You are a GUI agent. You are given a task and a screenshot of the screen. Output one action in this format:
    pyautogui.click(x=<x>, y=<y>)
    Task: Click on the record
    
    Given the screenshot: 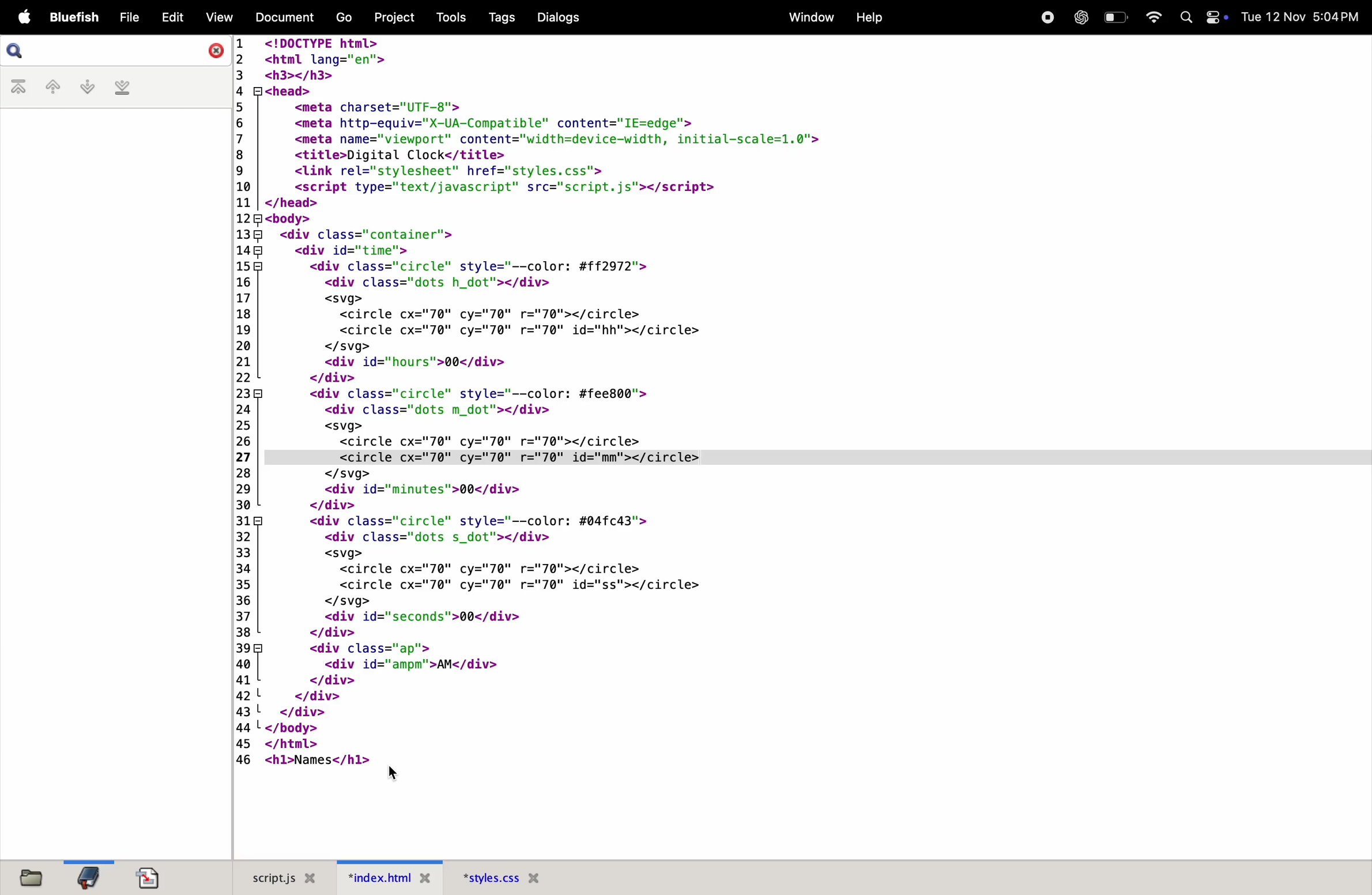 What is the action you would take?
    pyautogui.click(x=1045, y=17)
    